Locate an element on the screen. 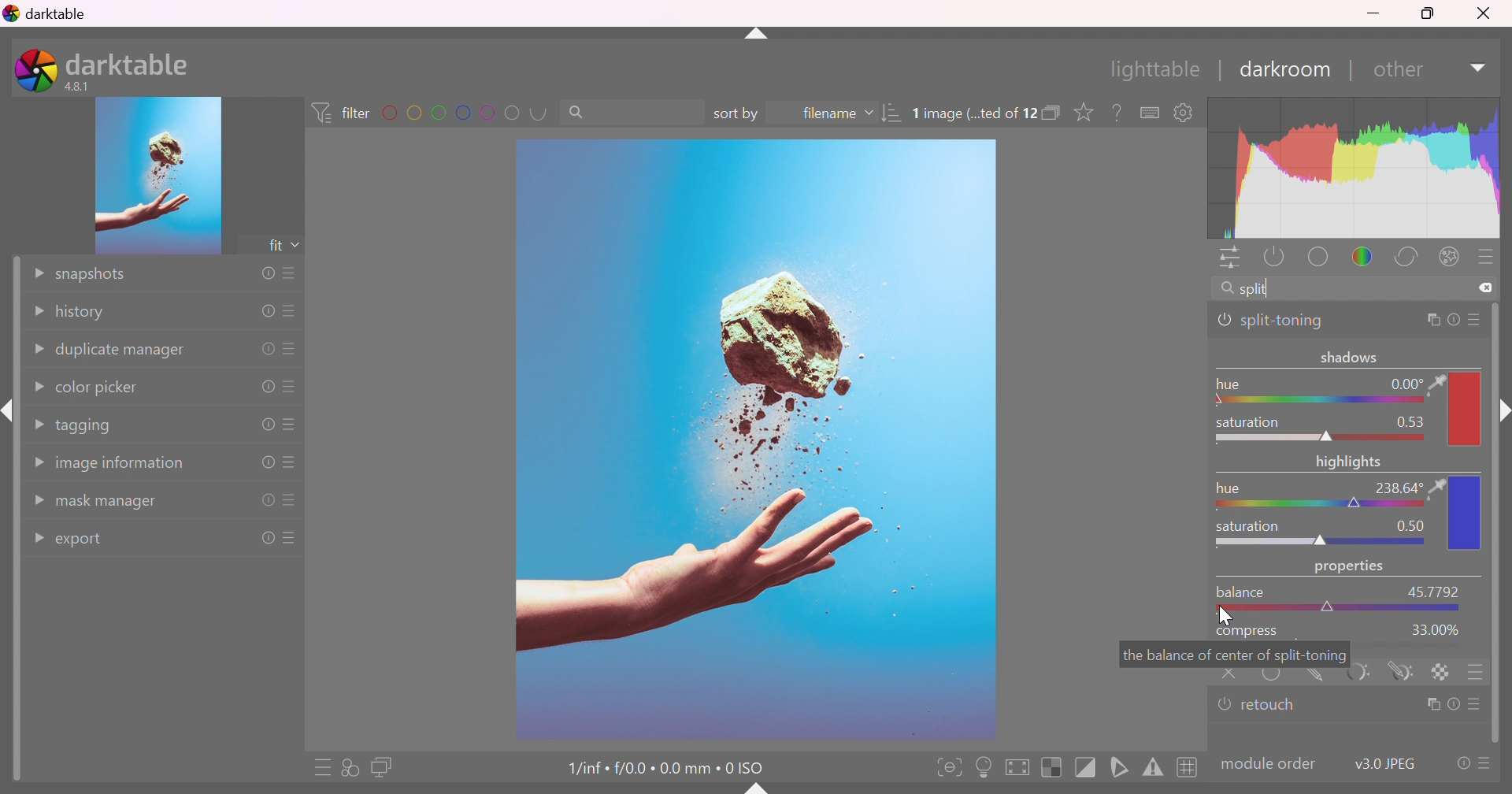 The image size is (1512, 794). shift+ctrl+b is located at coordinates (755, 788).